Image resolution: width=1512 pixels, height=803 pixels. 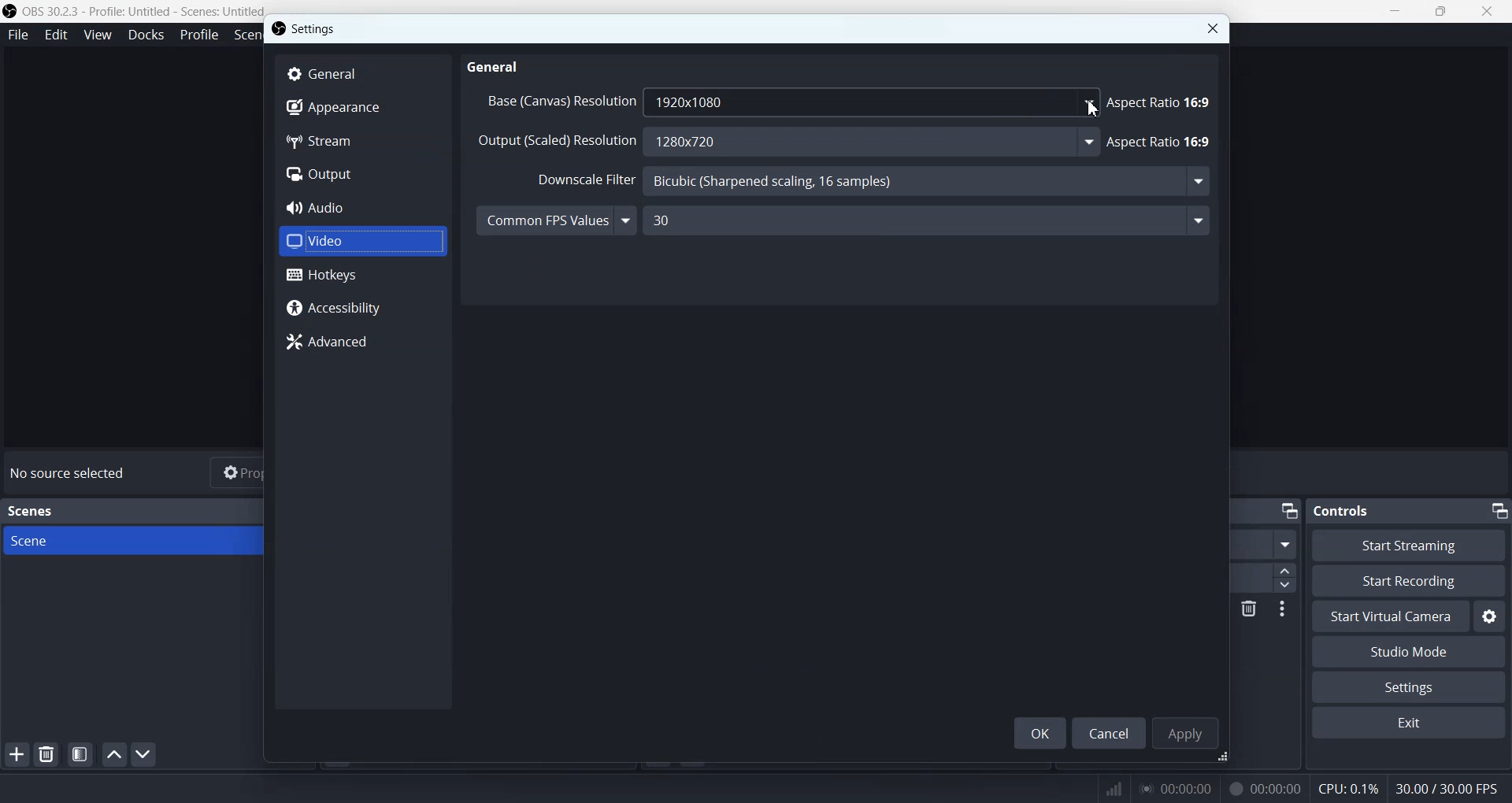 What do you see at coordinates (31, 512) in the screenshot?
I see `Scenes` at bounding box center [31, 512].